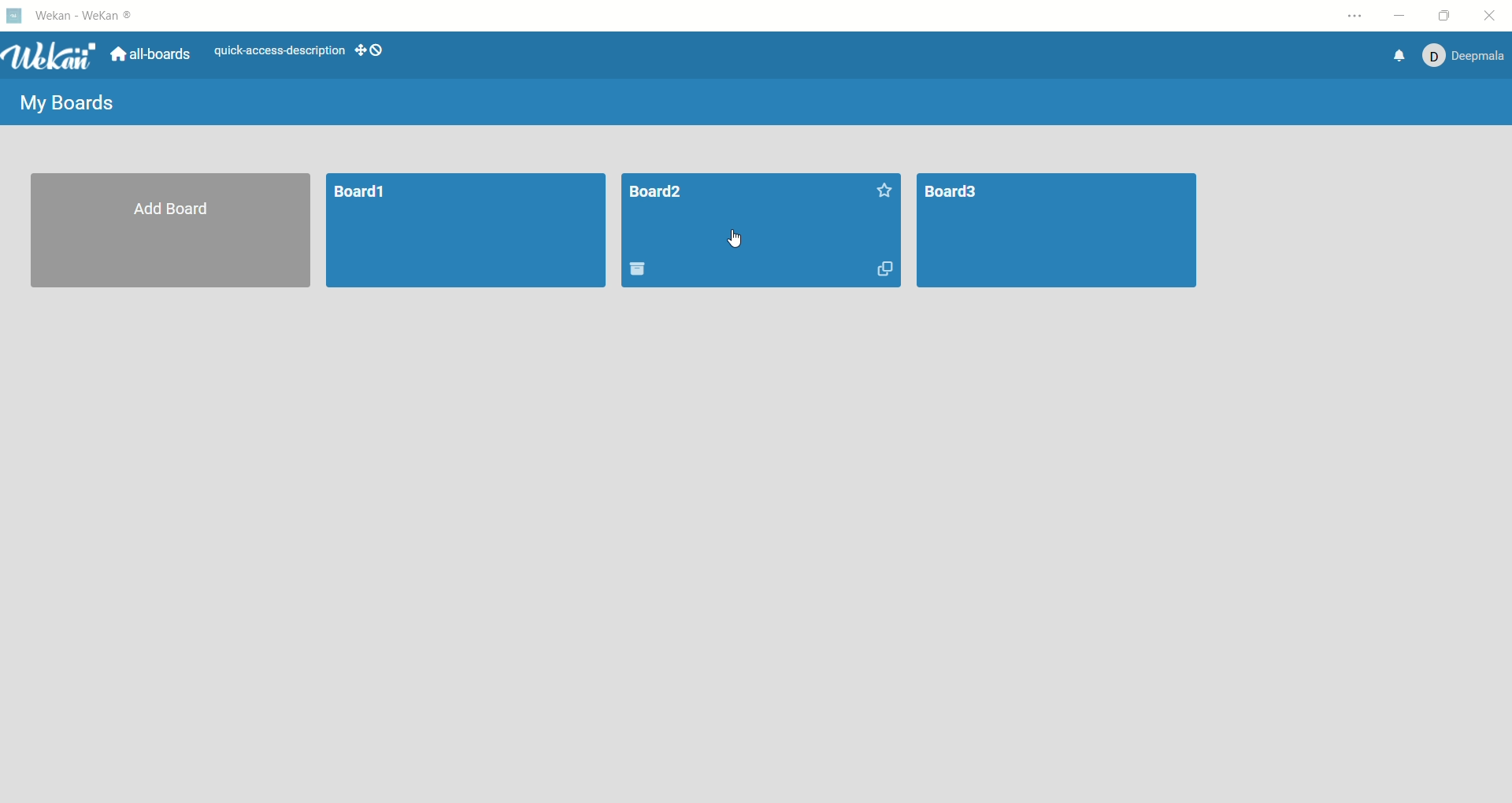  Describe the element at coordinates (1354, 15) in the screenshot. I see `options` at that location.